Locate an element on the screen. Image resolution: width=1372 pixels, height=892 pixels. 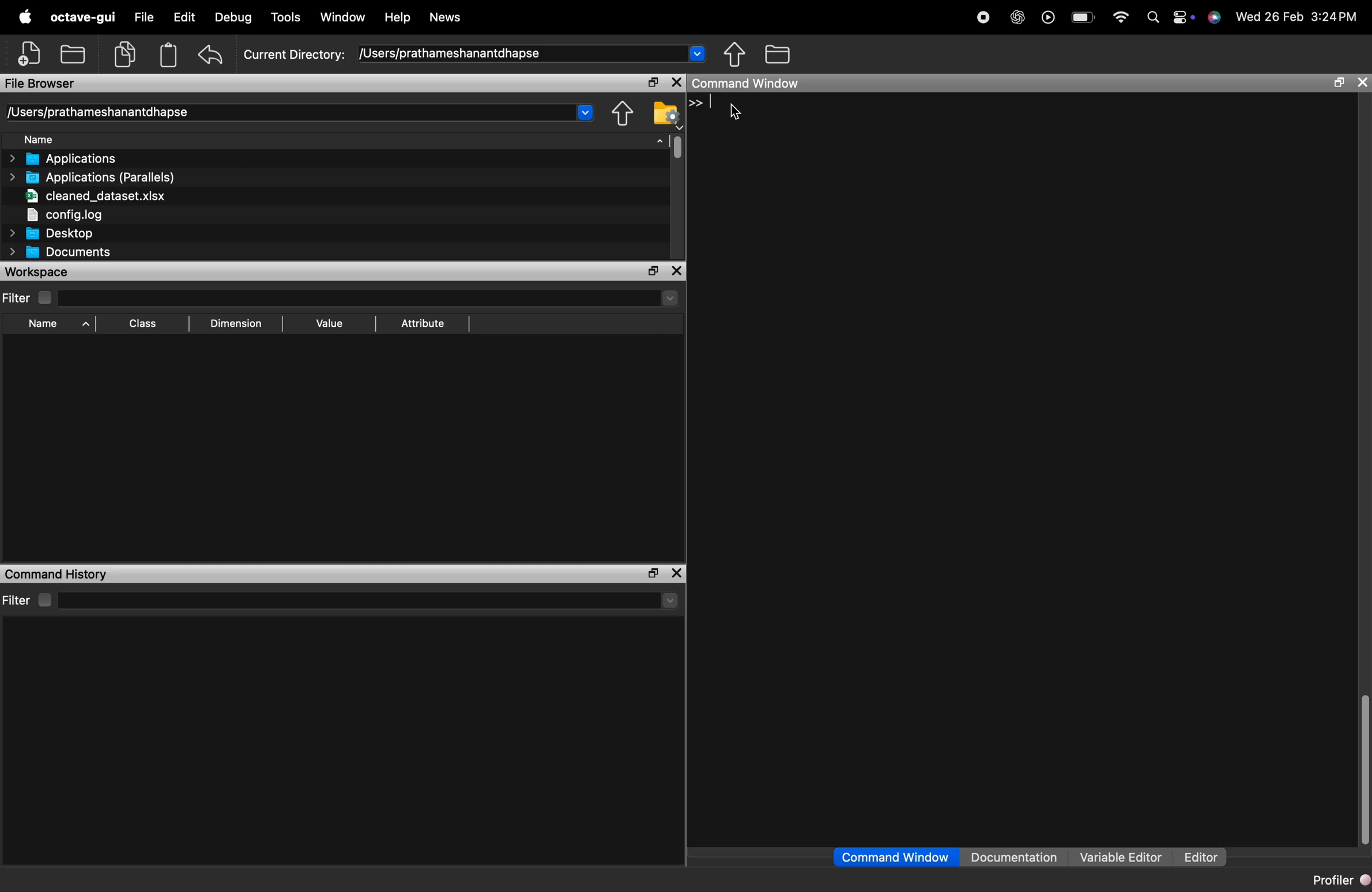
Name ~ is located at coordinates (49, 324).